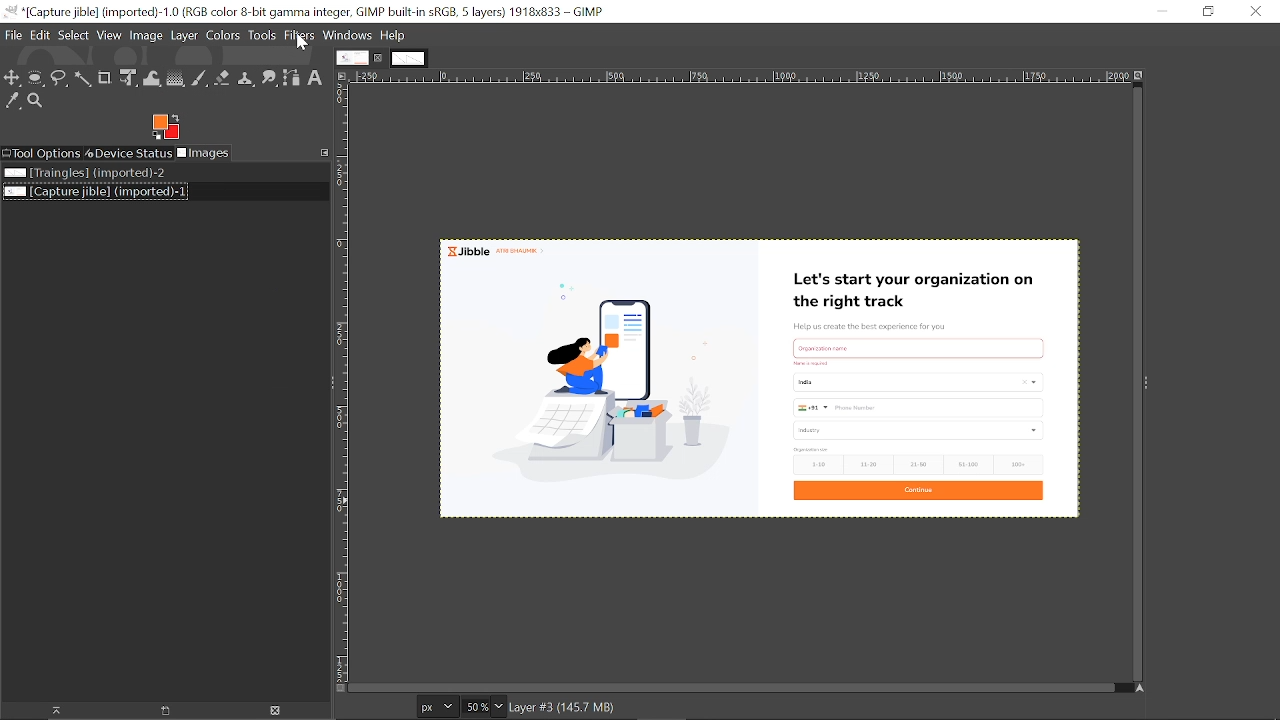  What do you see at coordinates (721, 77) in the screenshot?
I see `Horizontal label` at bounding box center [721, 77].